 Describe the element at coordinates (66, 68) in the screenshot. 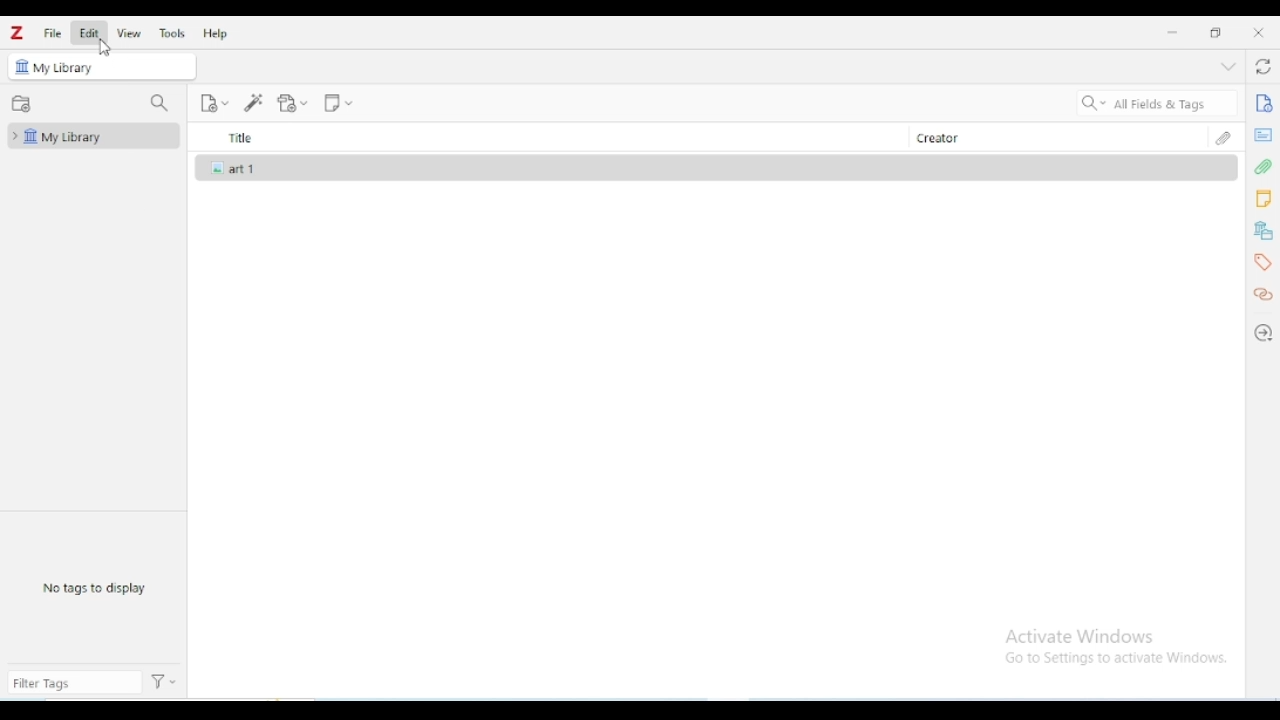

I see `my library` at that location.